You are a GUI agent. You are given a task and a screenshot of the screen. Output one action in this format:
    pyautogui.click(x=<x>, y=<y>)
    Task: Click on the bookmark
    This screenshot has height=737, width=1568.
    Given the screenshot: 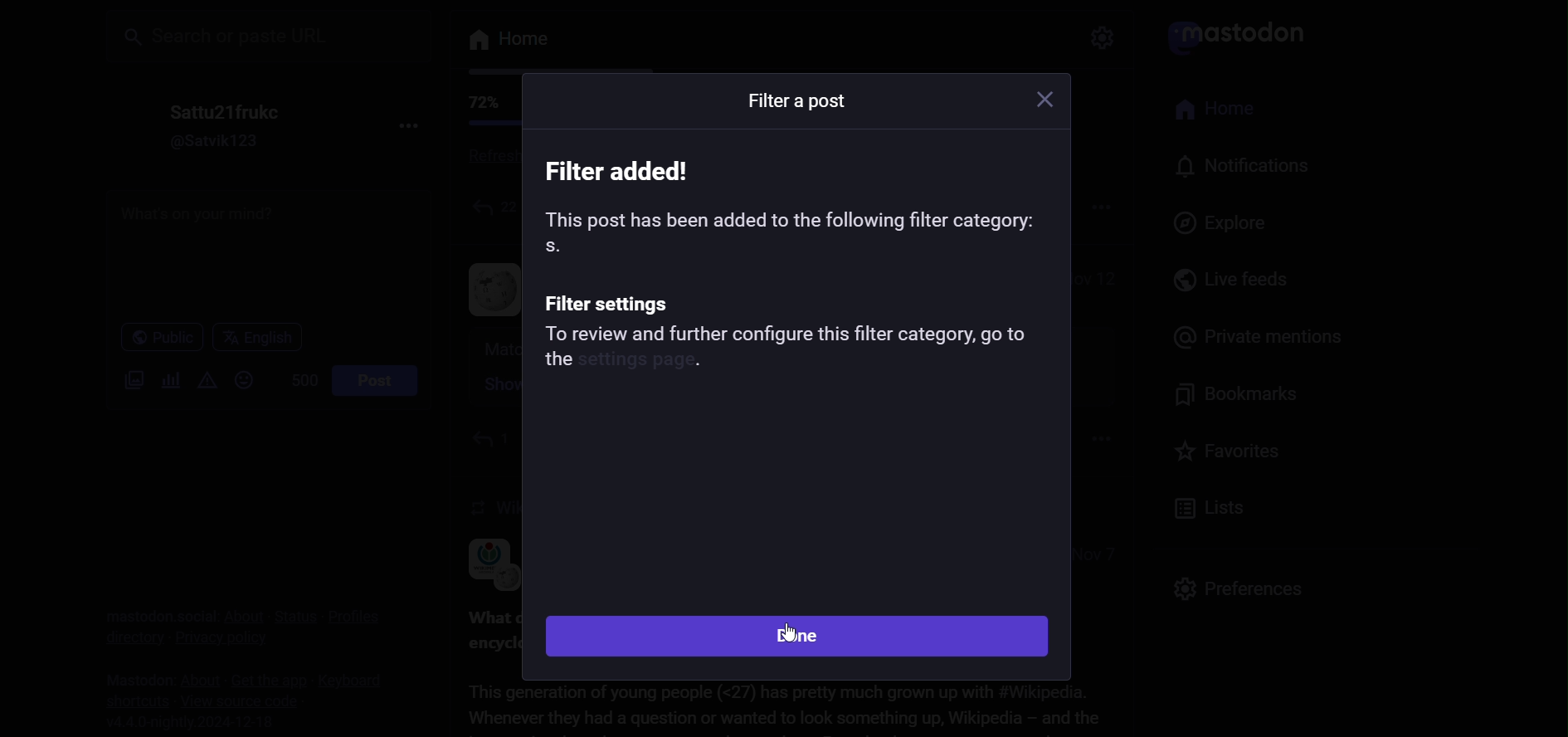 What is the action you would take?
    pyautogui.click(x=1245, y=397)
    